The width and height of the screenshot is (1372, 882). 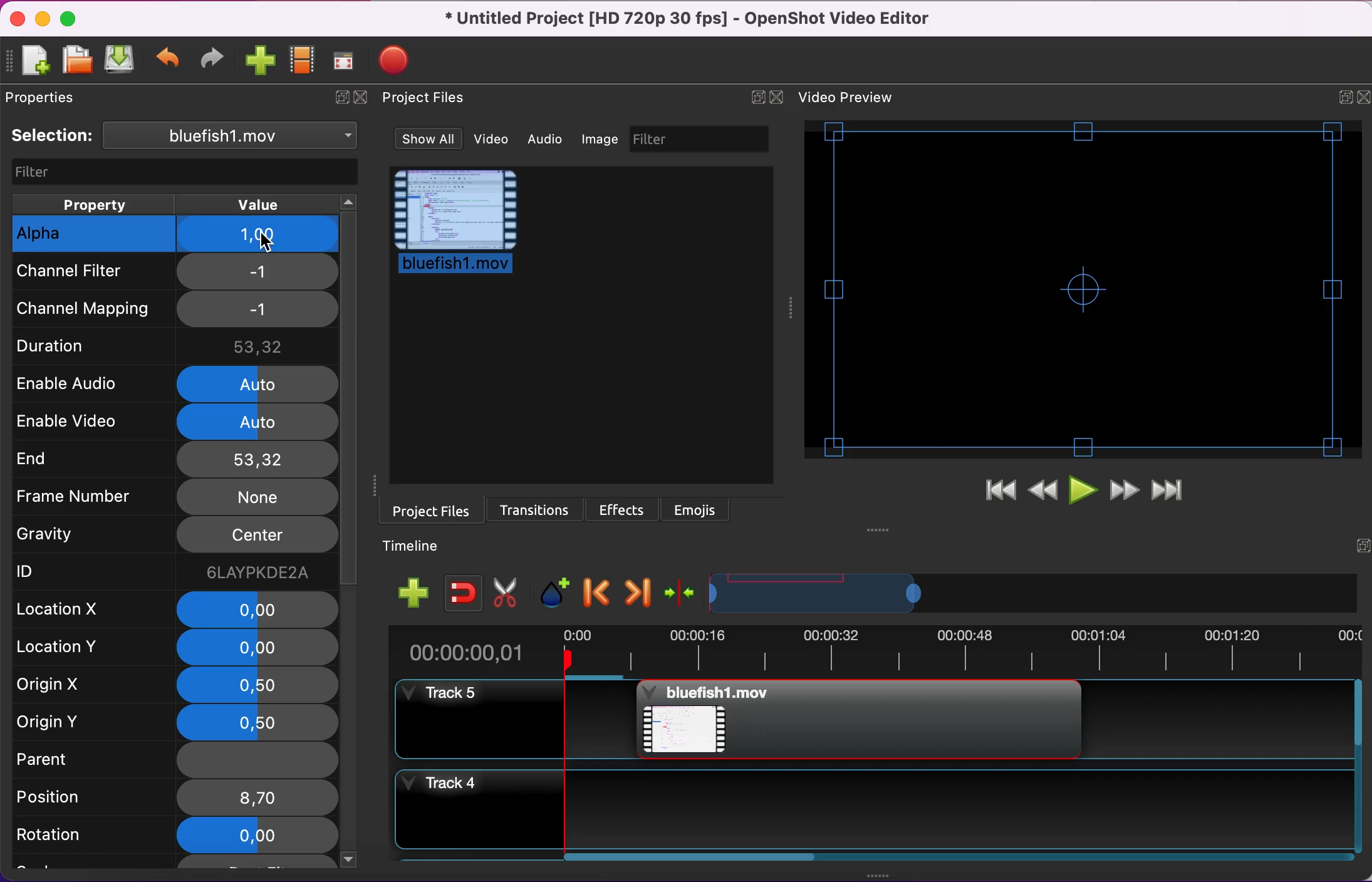 What do you see at coordinates (457, 222) in the screenshot?
I see `project file` at bounding box center [457, 222].